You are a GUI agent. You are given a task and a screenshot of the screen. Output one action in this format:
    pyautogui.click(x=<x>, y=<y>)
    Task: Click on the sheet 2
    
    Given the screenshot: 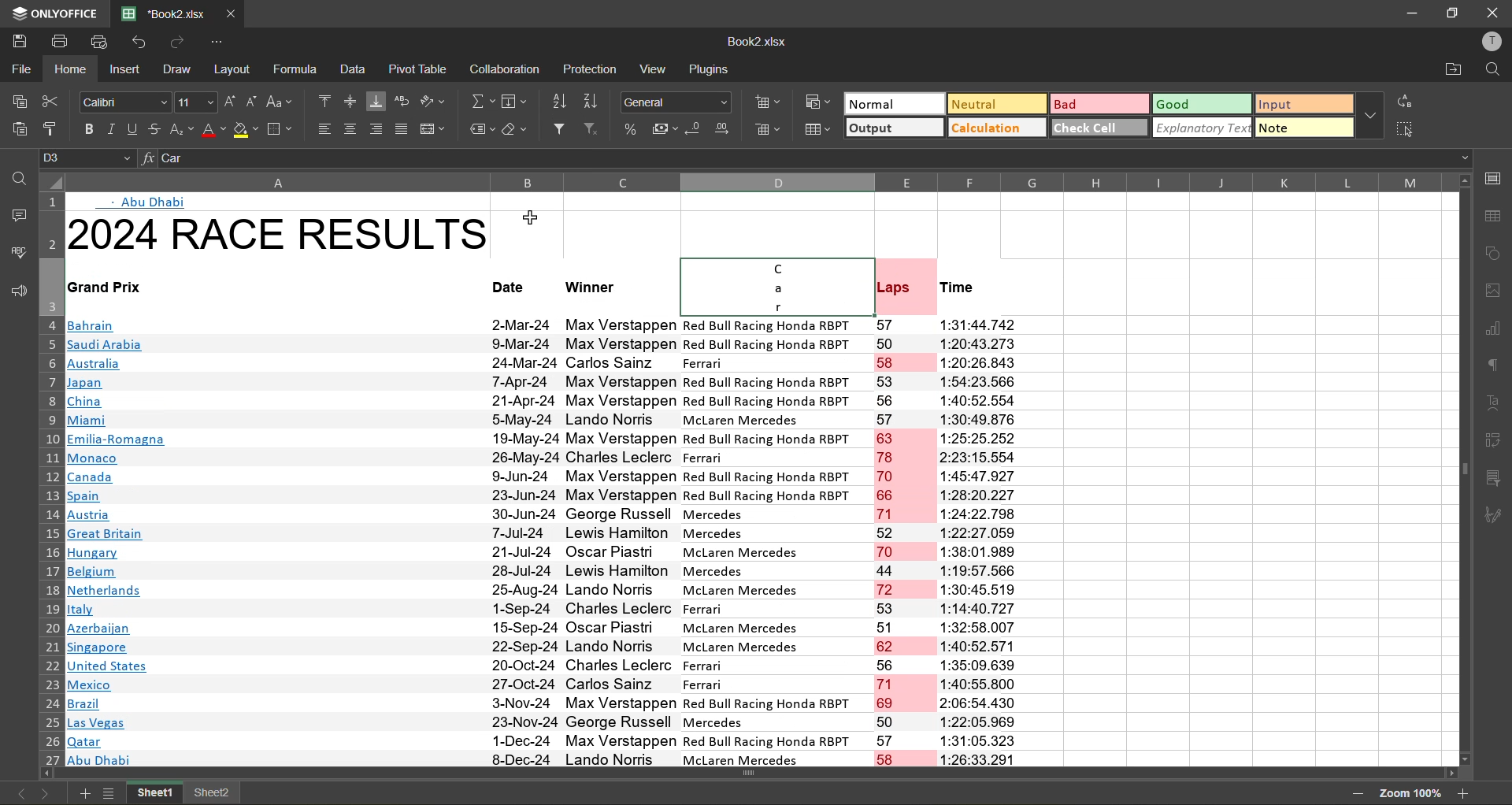 What is the action you would take?
    pyautogui.click(x=212, y=792)
    